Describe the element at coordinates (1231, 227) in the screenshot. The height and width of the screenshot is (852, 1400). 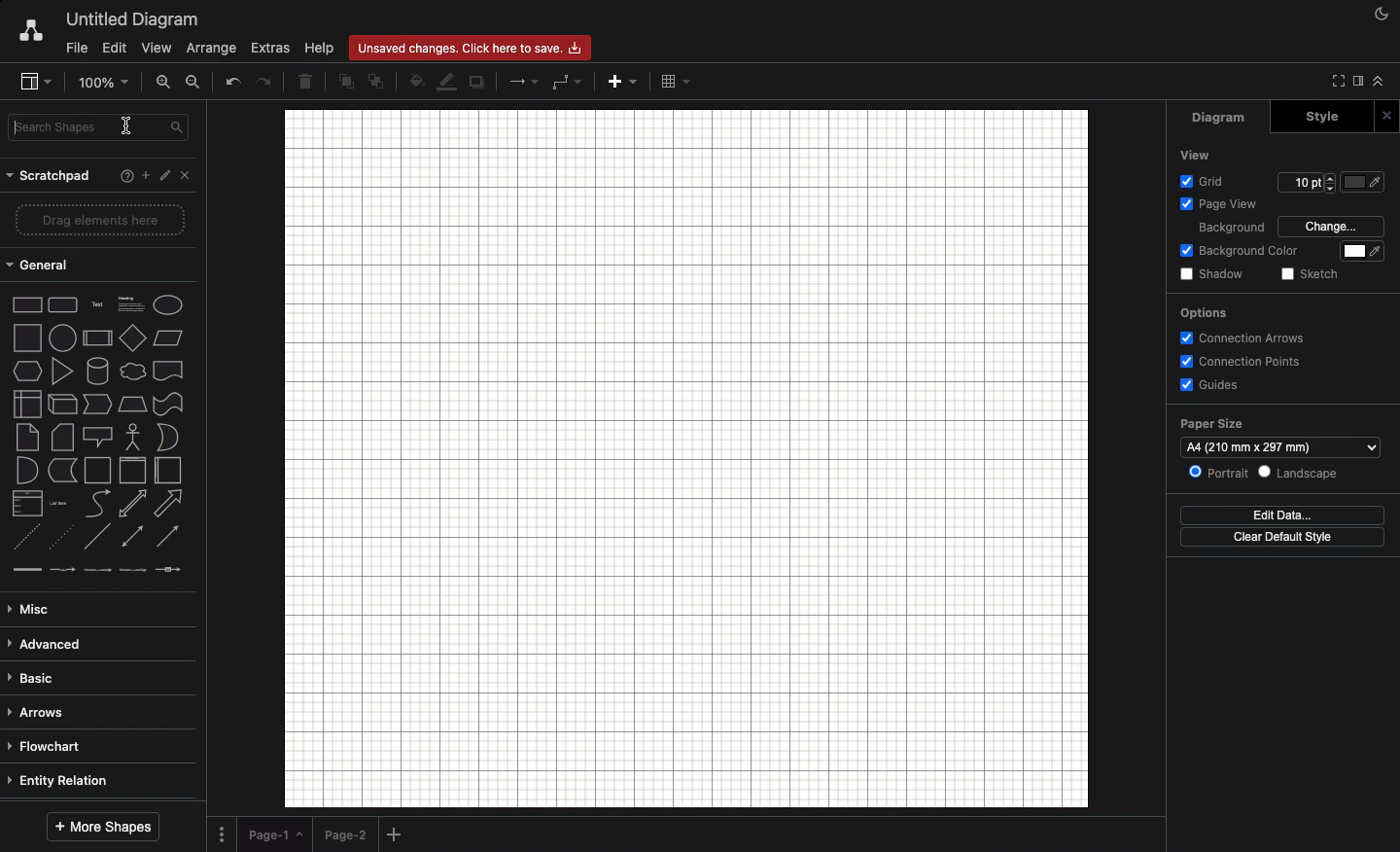
I see `Background` at that location.